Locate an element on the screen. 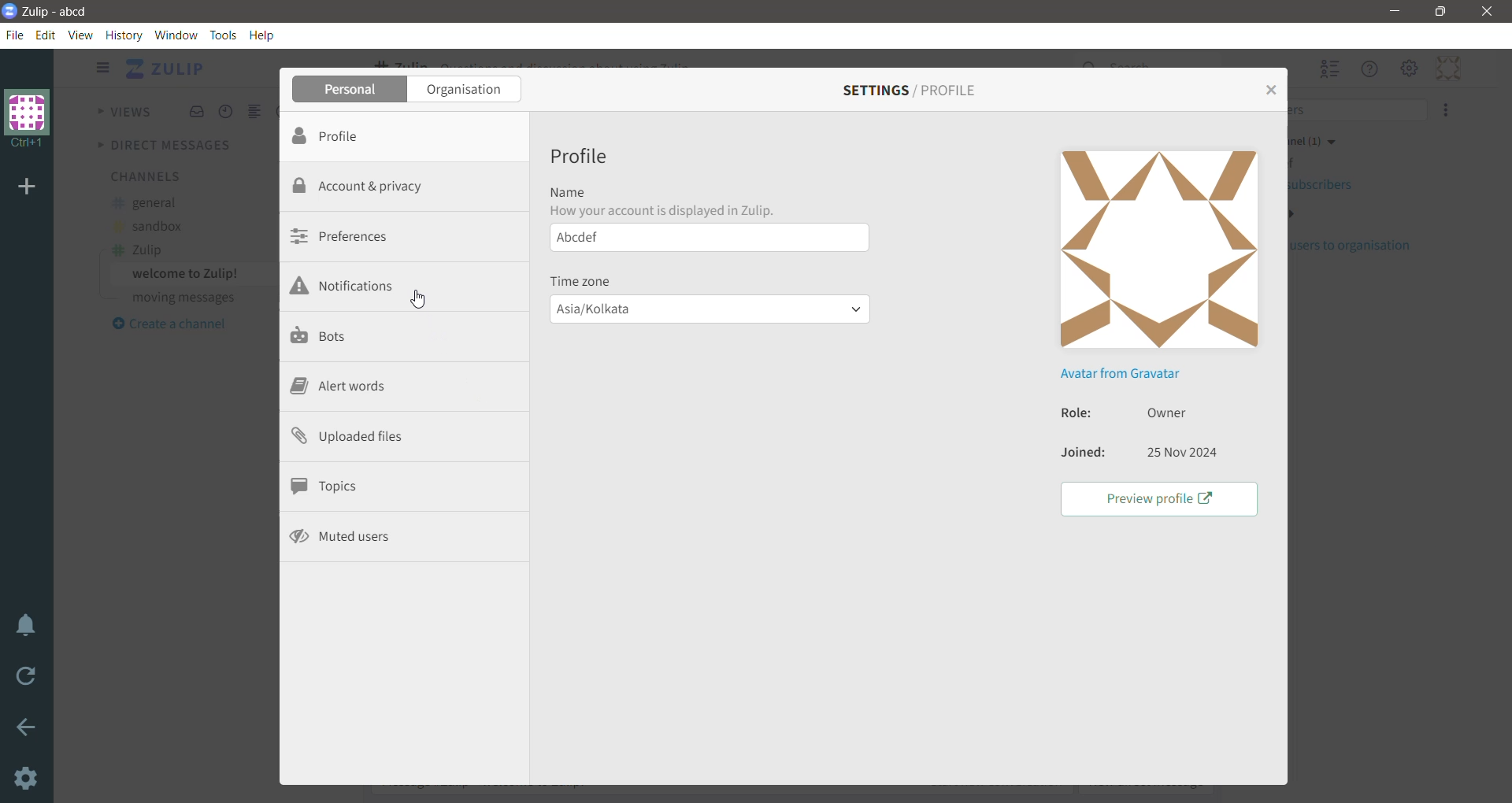 The height and width of the screenshot is (803, 1512). Uploaded files is located at coordinates (360, 438).